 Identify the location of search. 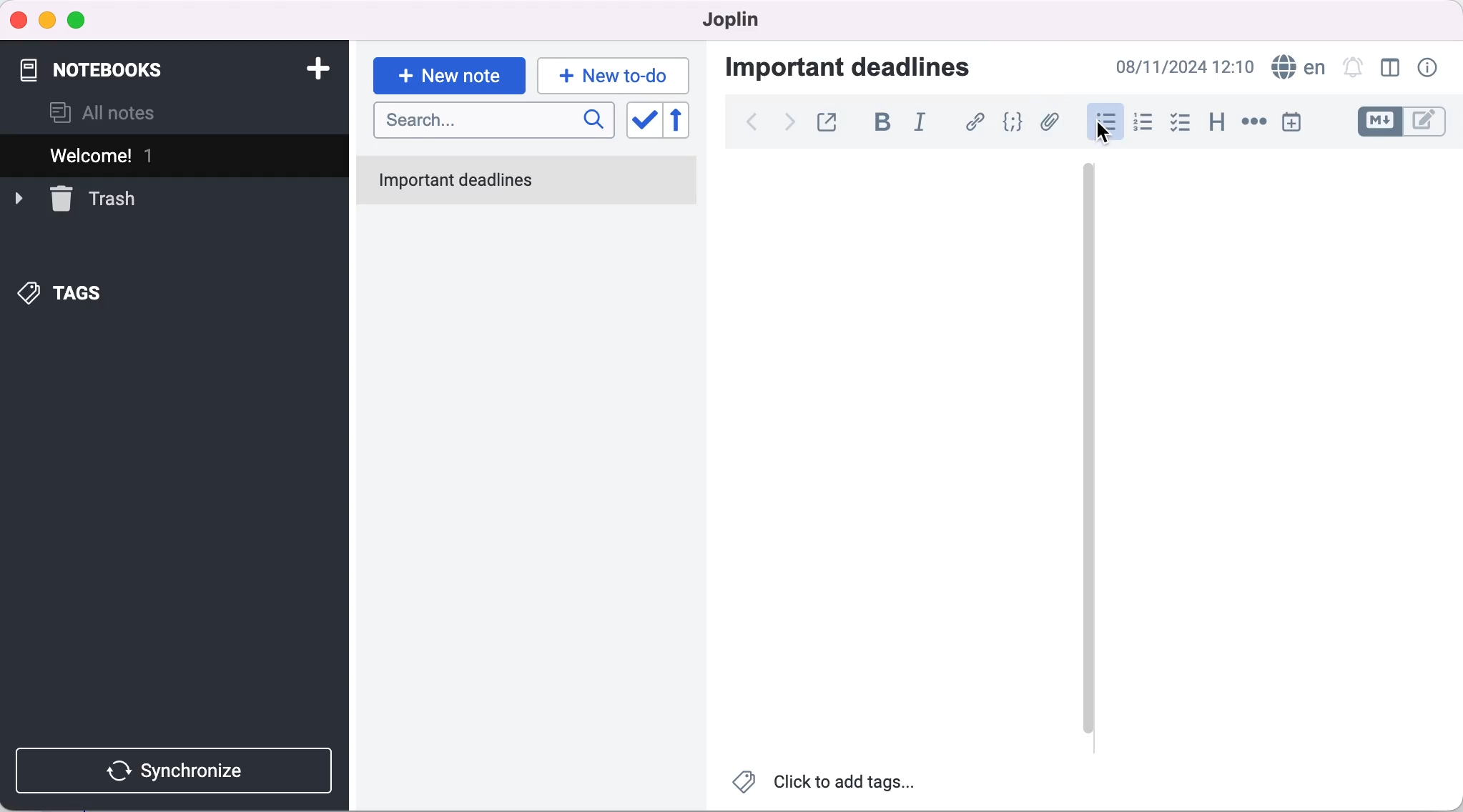
(493, 122).